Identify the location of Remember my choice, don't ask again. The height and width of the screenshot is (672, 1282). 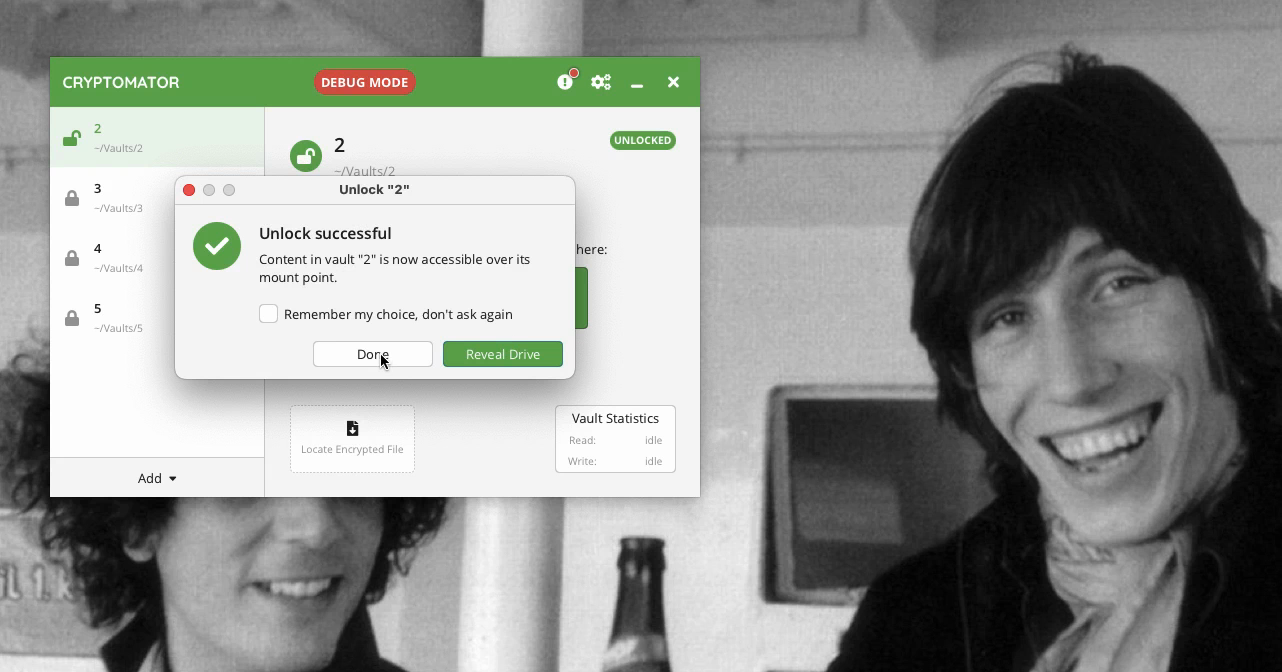
(387, 316).